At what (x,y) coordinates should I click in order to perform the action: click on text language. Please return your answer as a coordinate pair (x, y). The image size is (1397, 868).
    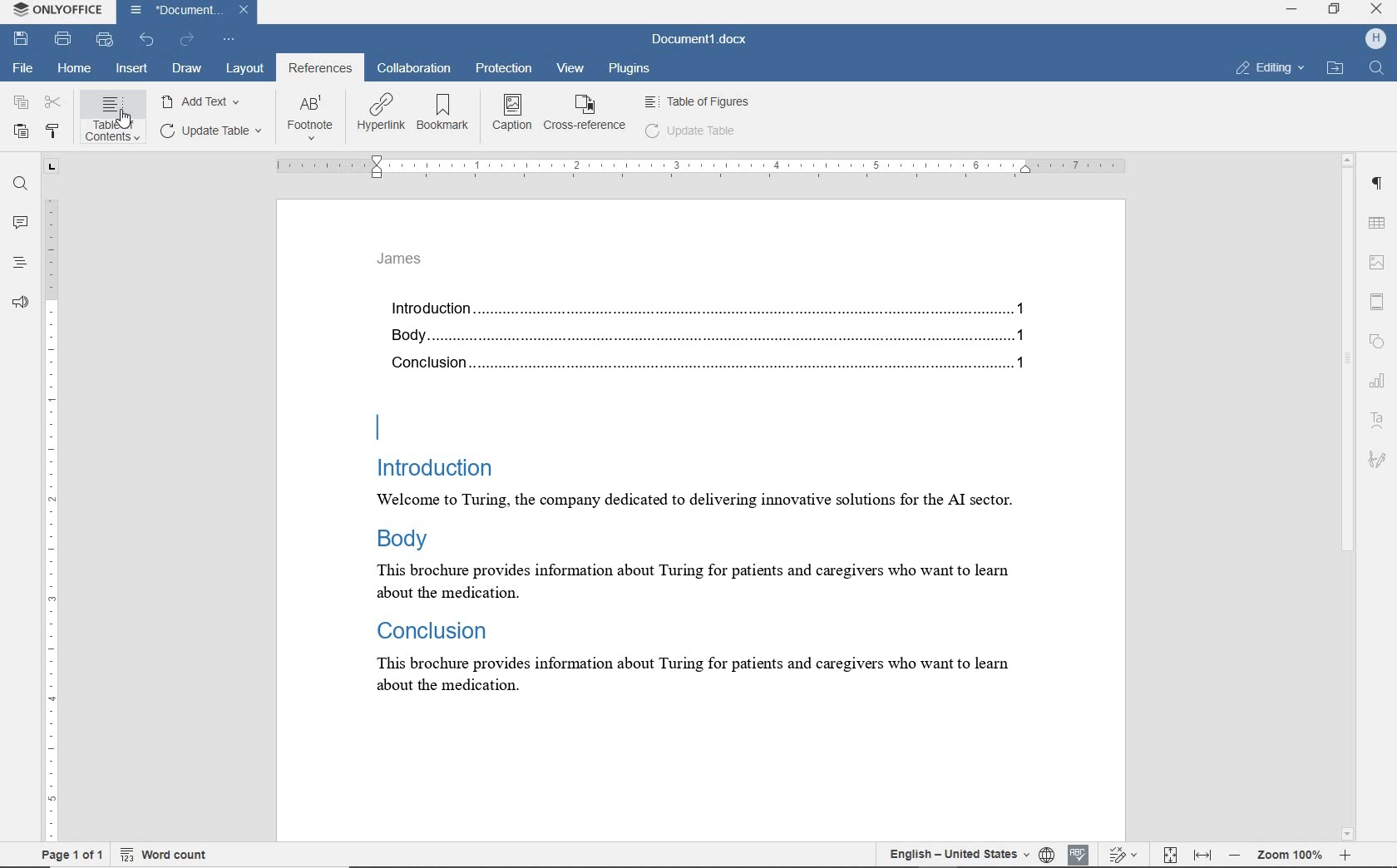
    Looking at the image, I should click on (956, 855).